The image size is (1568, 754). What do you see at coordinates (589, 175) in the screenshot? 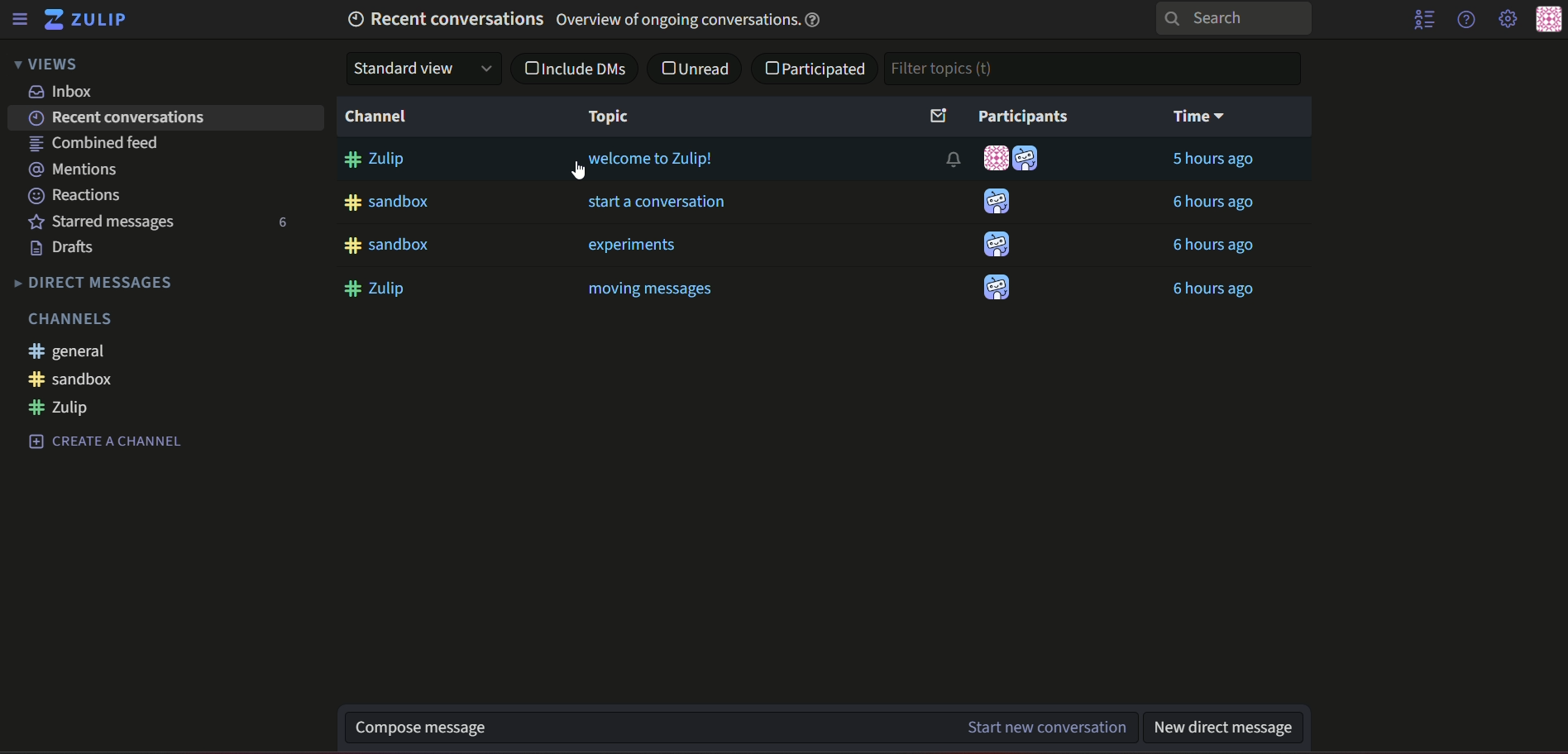
I see `cursor` at bounding box center [589, 175].